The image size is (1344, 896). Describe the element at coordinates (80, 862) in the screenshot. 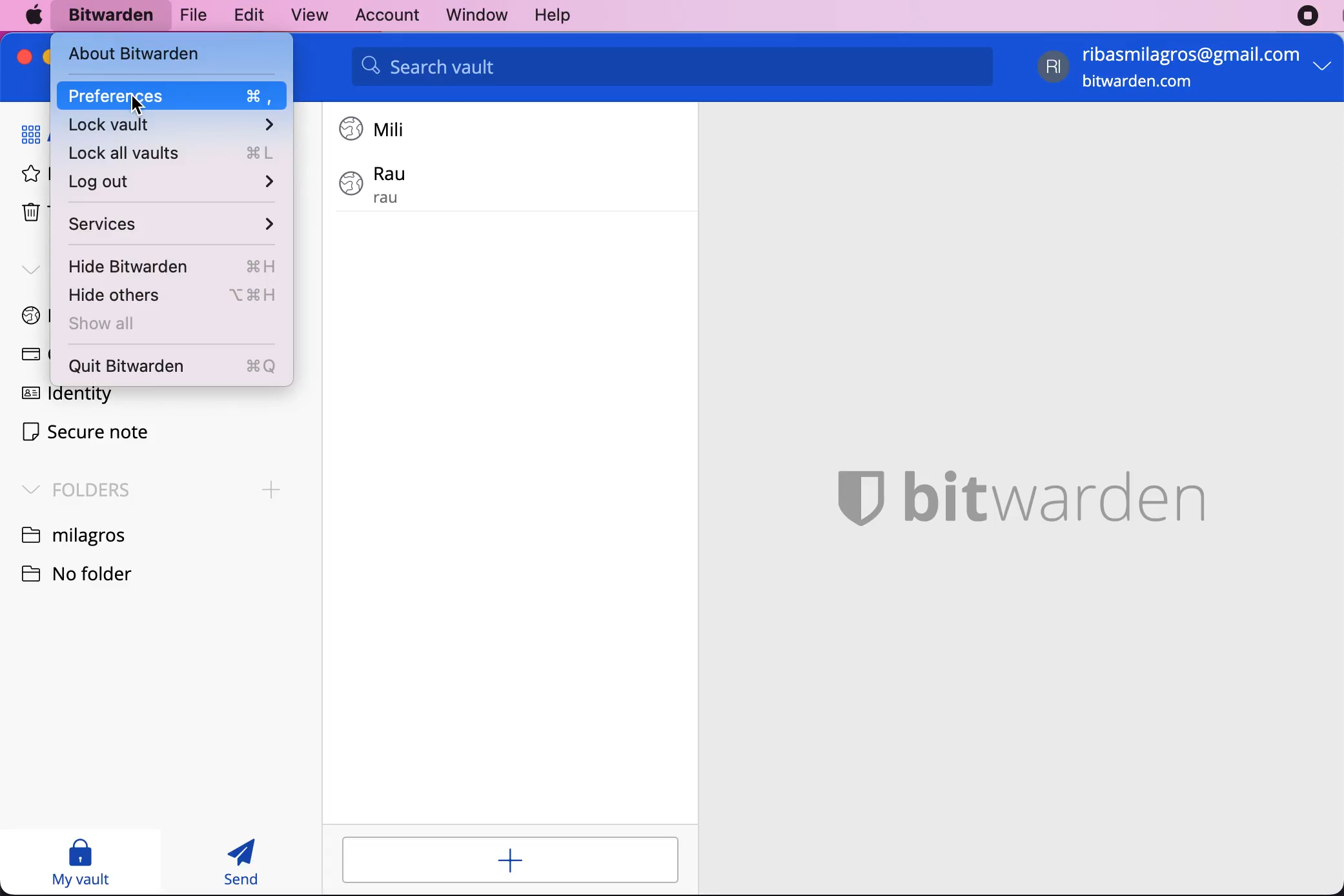

I see `my vault` at that location.